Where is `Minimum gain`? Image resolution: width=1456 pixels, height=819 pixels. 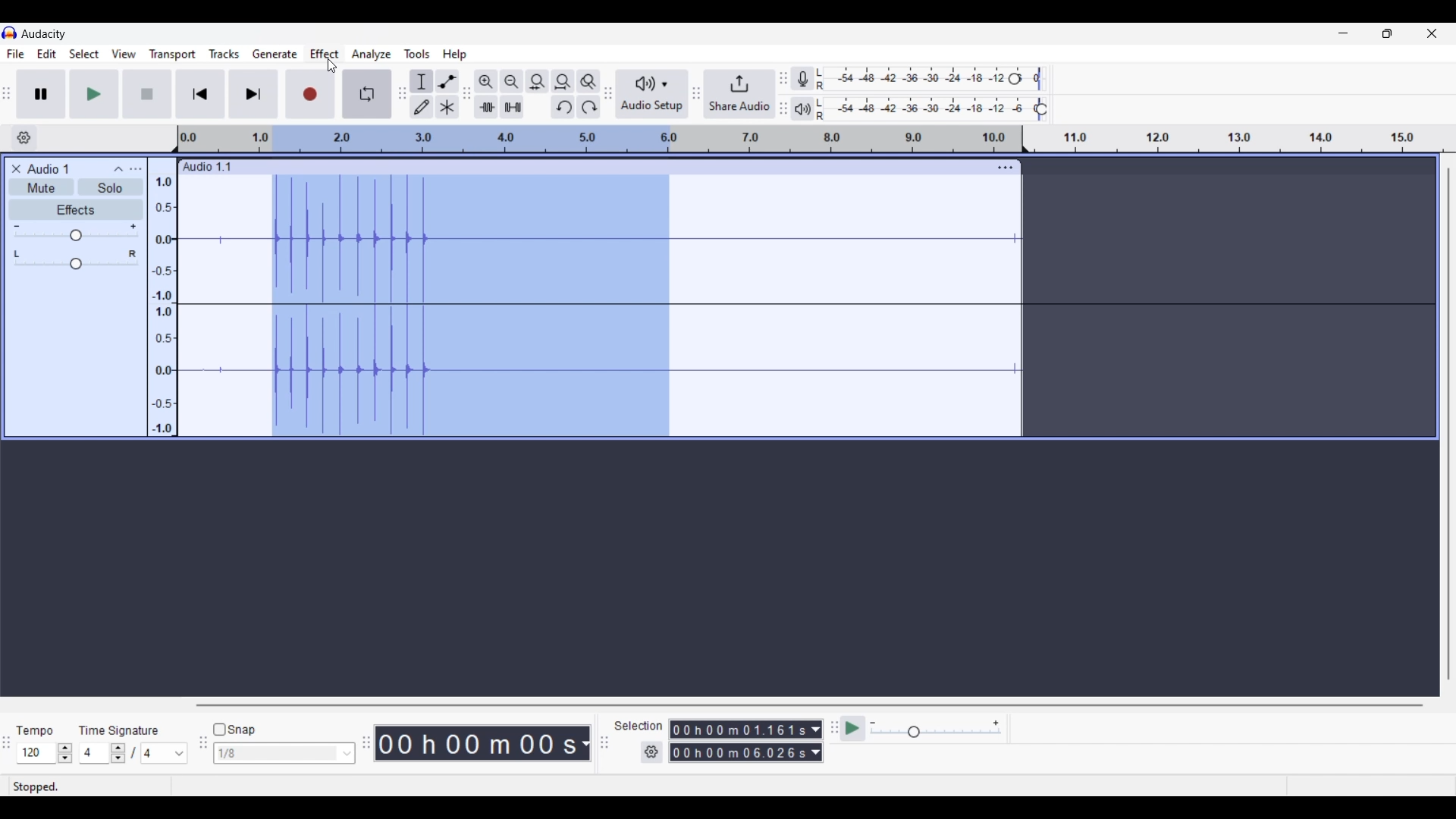 Minimum gain is located at coordinates (16, 226).